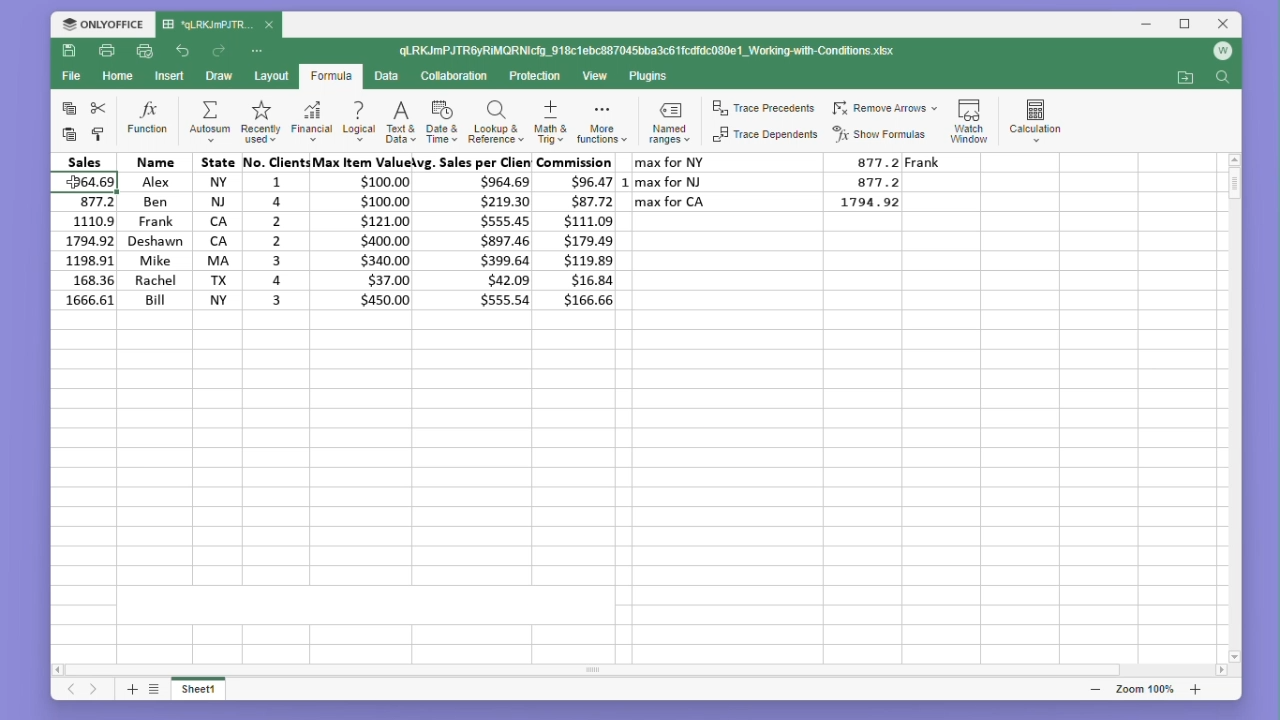 The image size is (1280, 720). Describe the element at coordinates (217, 230) in the screenshot. I see `State` at that location.